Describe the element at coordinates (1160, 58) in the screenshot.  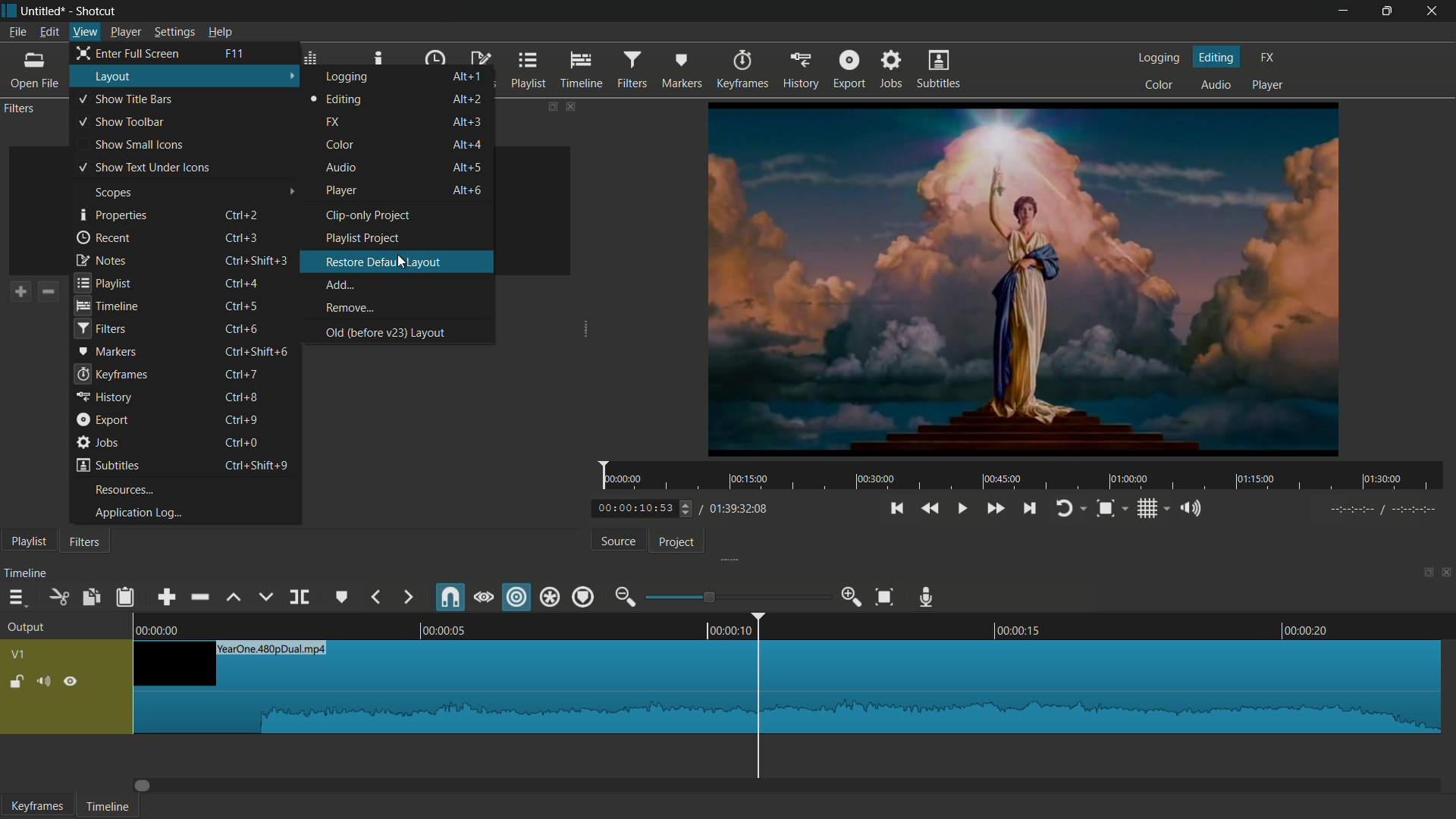
I see `logging` at that location.